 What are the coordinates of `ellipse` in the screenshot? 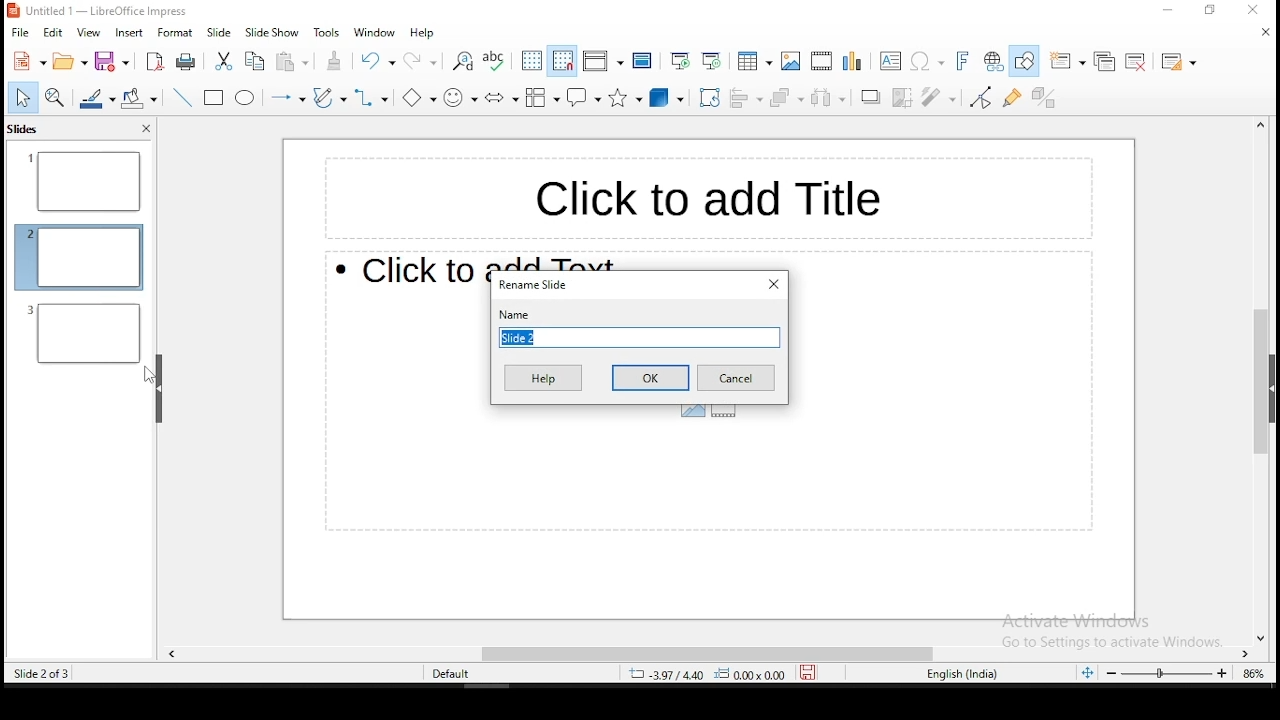 It's located at (245, 100).